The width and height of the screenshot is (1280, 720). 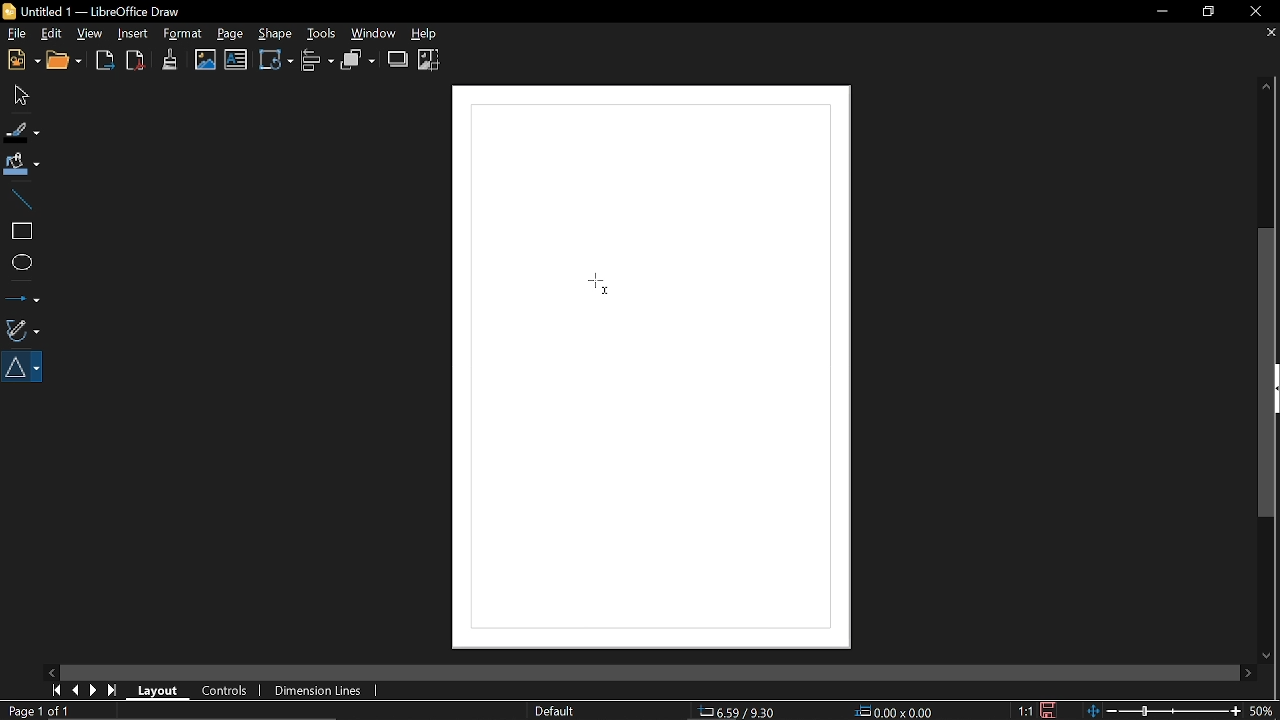 I want to click on fill line, so click(x=23, y=131).